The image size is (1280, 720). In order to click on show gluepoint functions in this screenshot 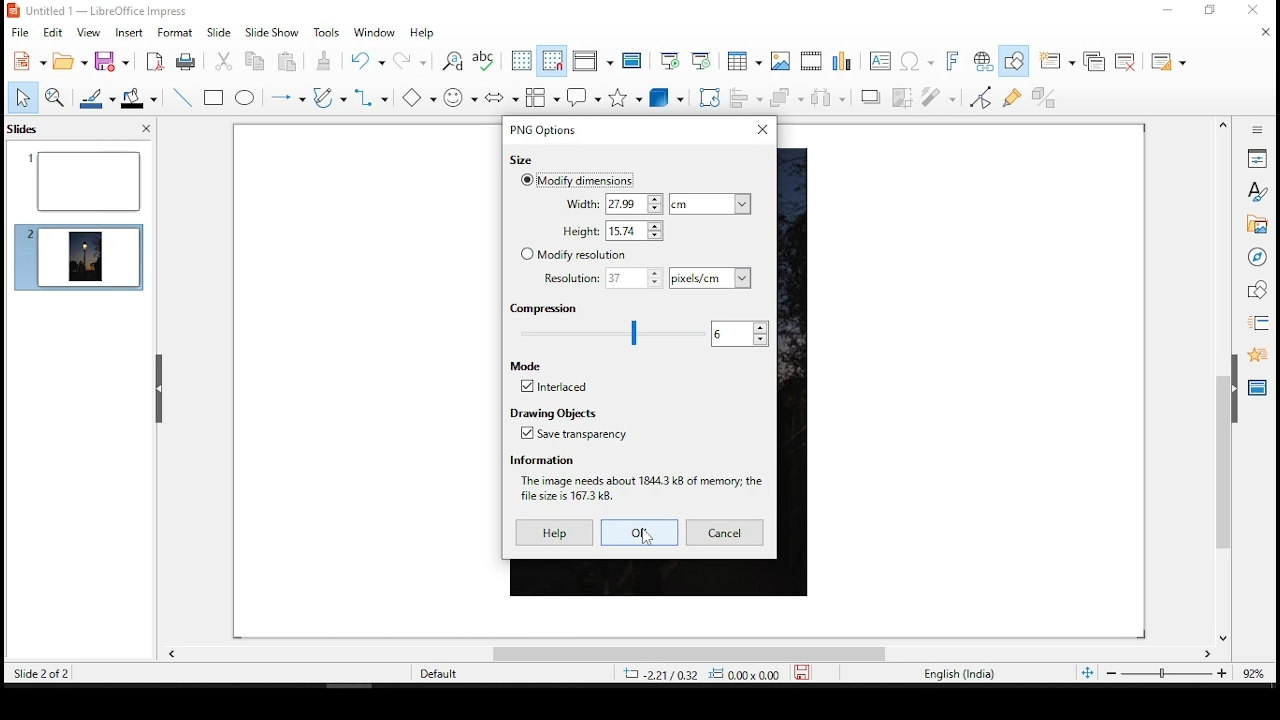, I will do `click(1014, 98)`.